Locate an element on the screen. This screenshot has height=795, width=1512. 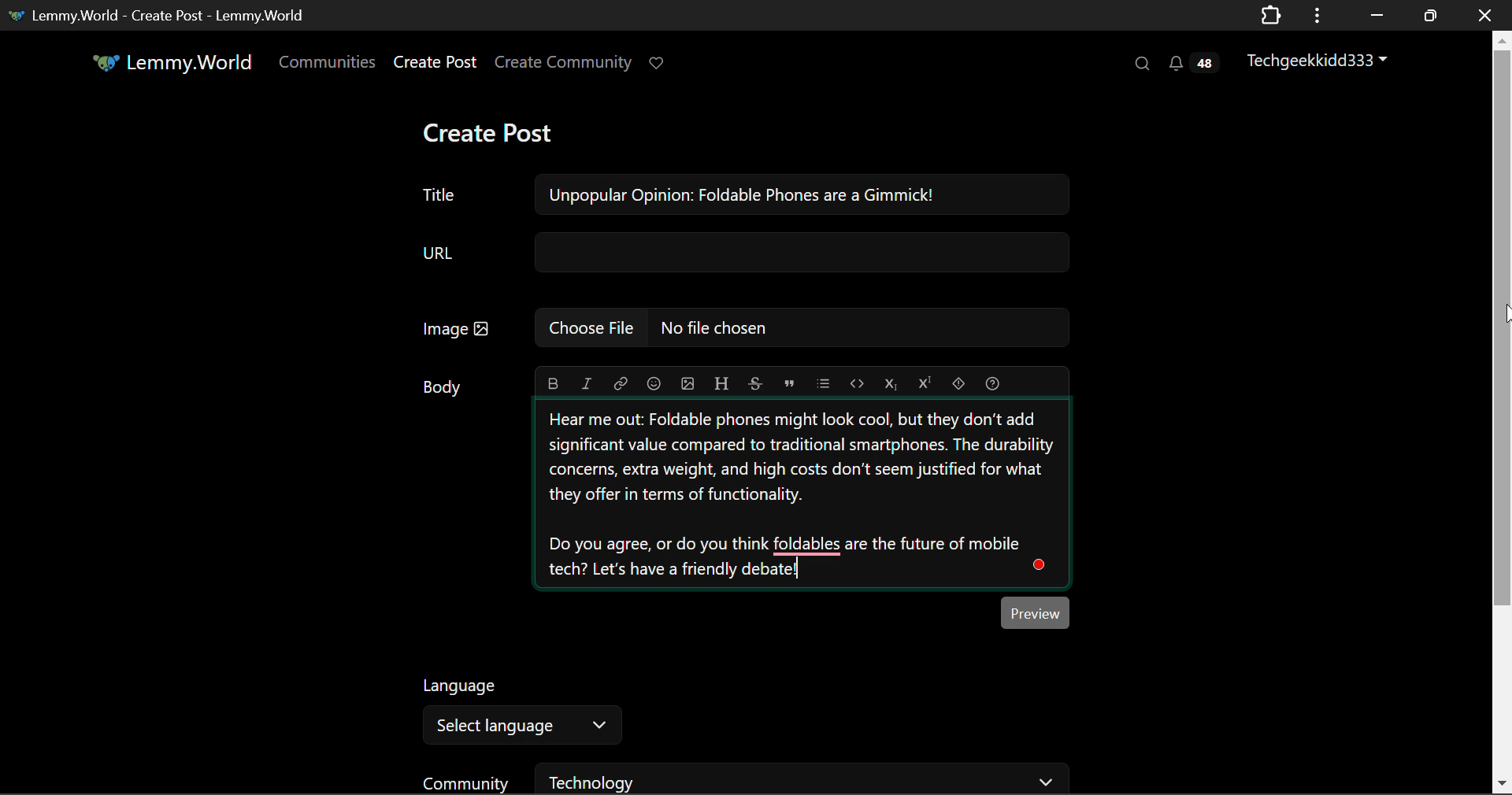
Notifications is located at coordinates (1192, 63).